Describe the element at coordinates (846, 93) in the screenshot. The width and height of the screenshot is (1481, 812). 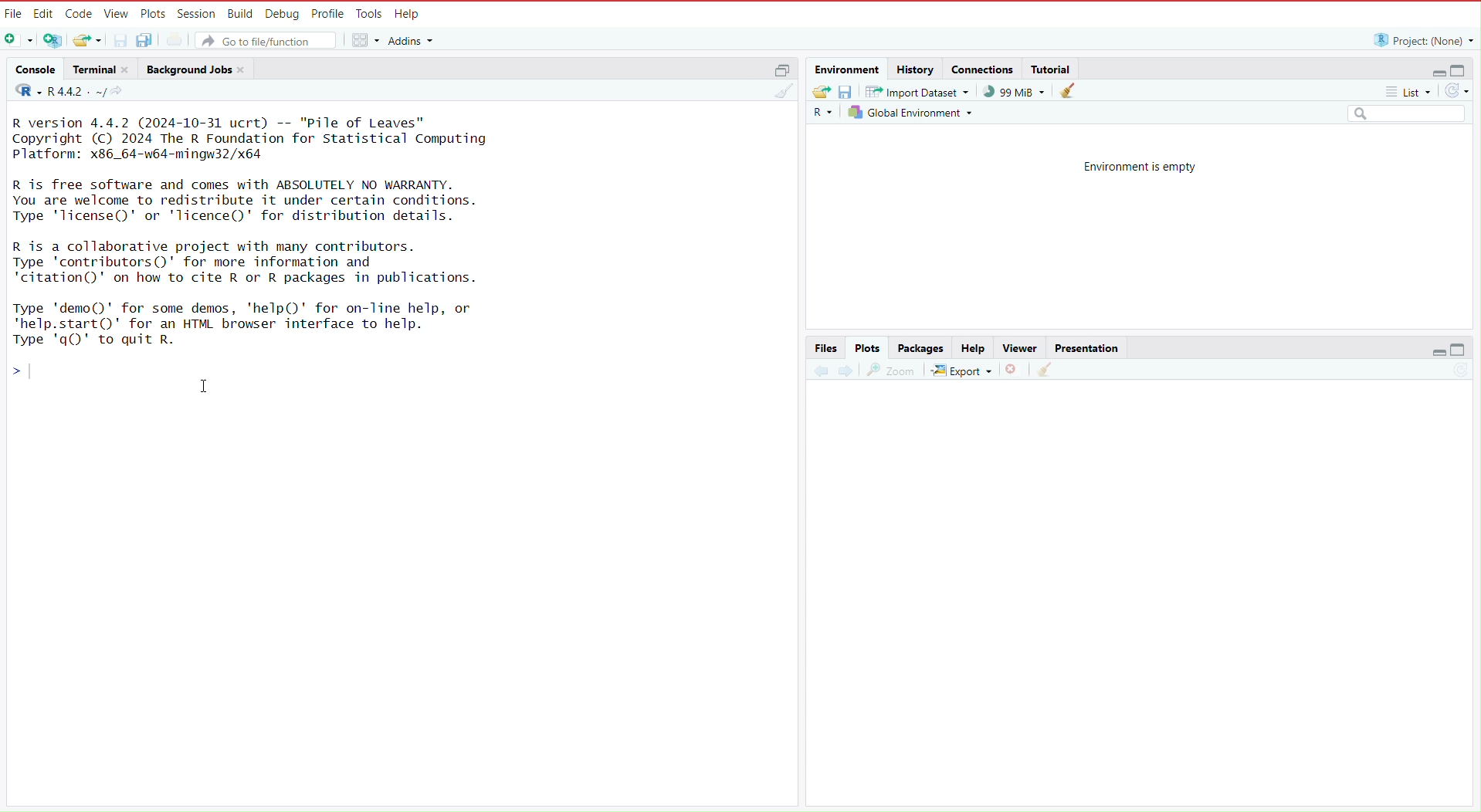
I see `save workspace as` at that location.